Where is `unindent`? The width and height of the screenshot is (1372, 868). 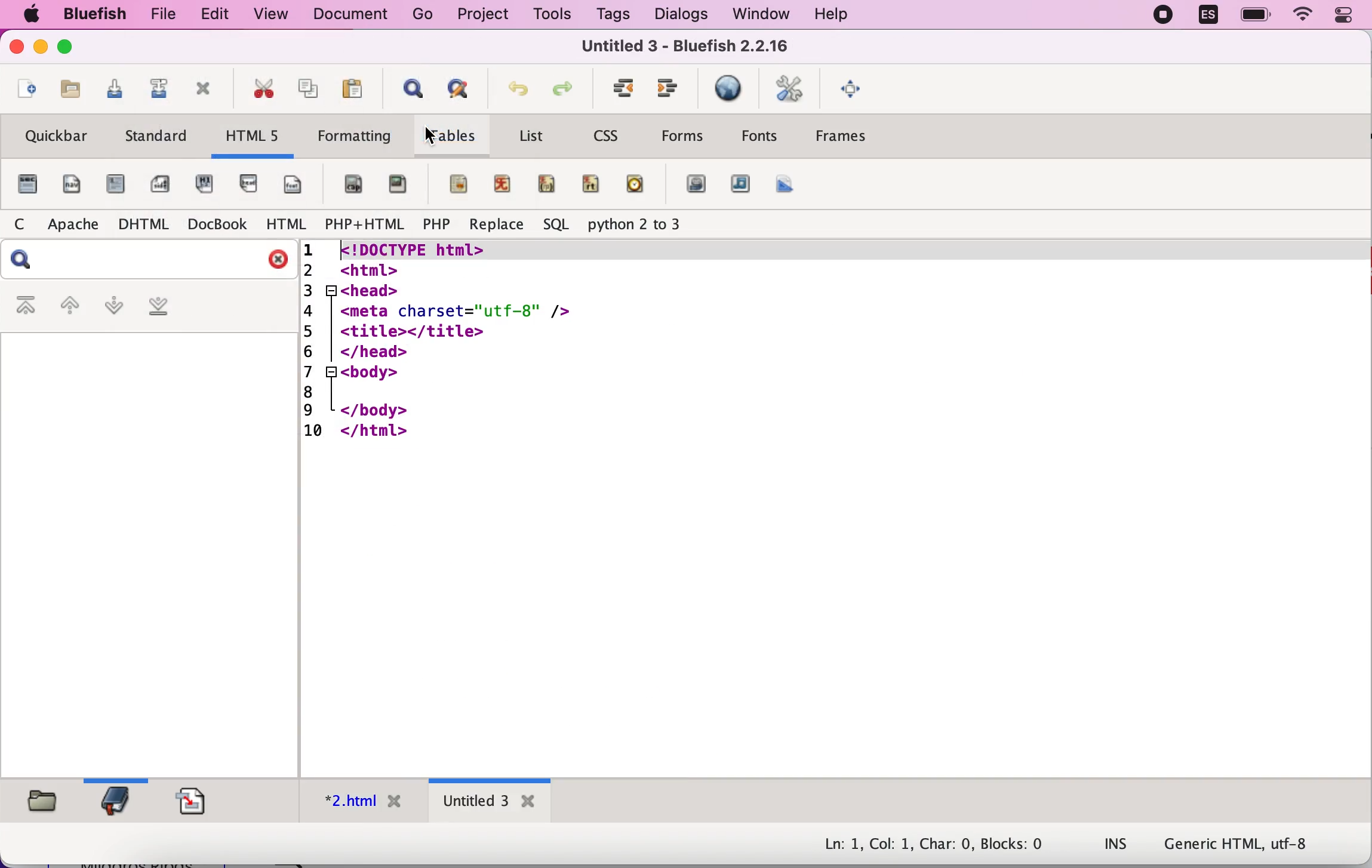 unindent is located at coordinates (670, 90).